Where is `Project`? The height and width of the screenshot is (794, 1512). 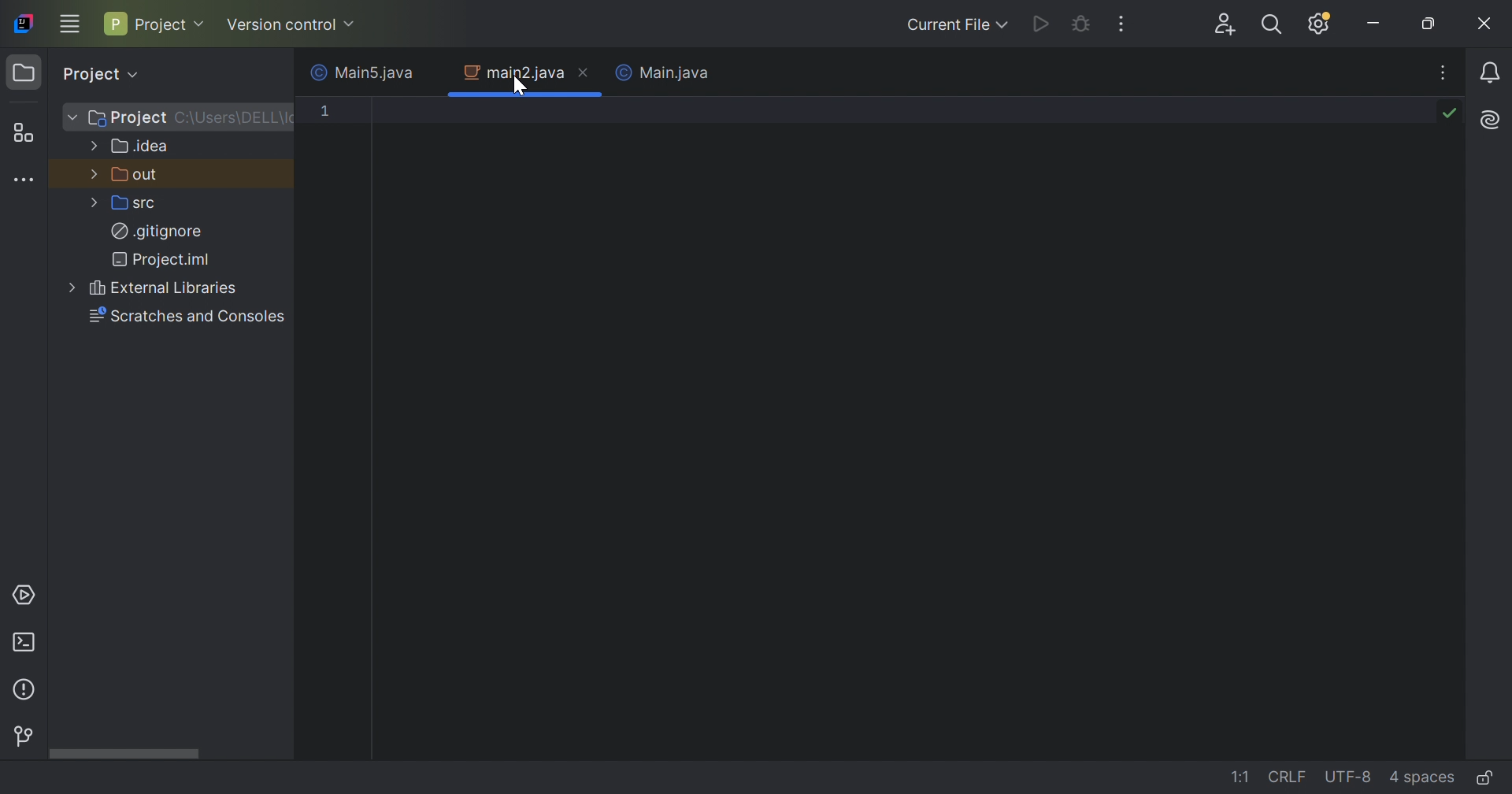 Project is located at coordinates (128, 118).